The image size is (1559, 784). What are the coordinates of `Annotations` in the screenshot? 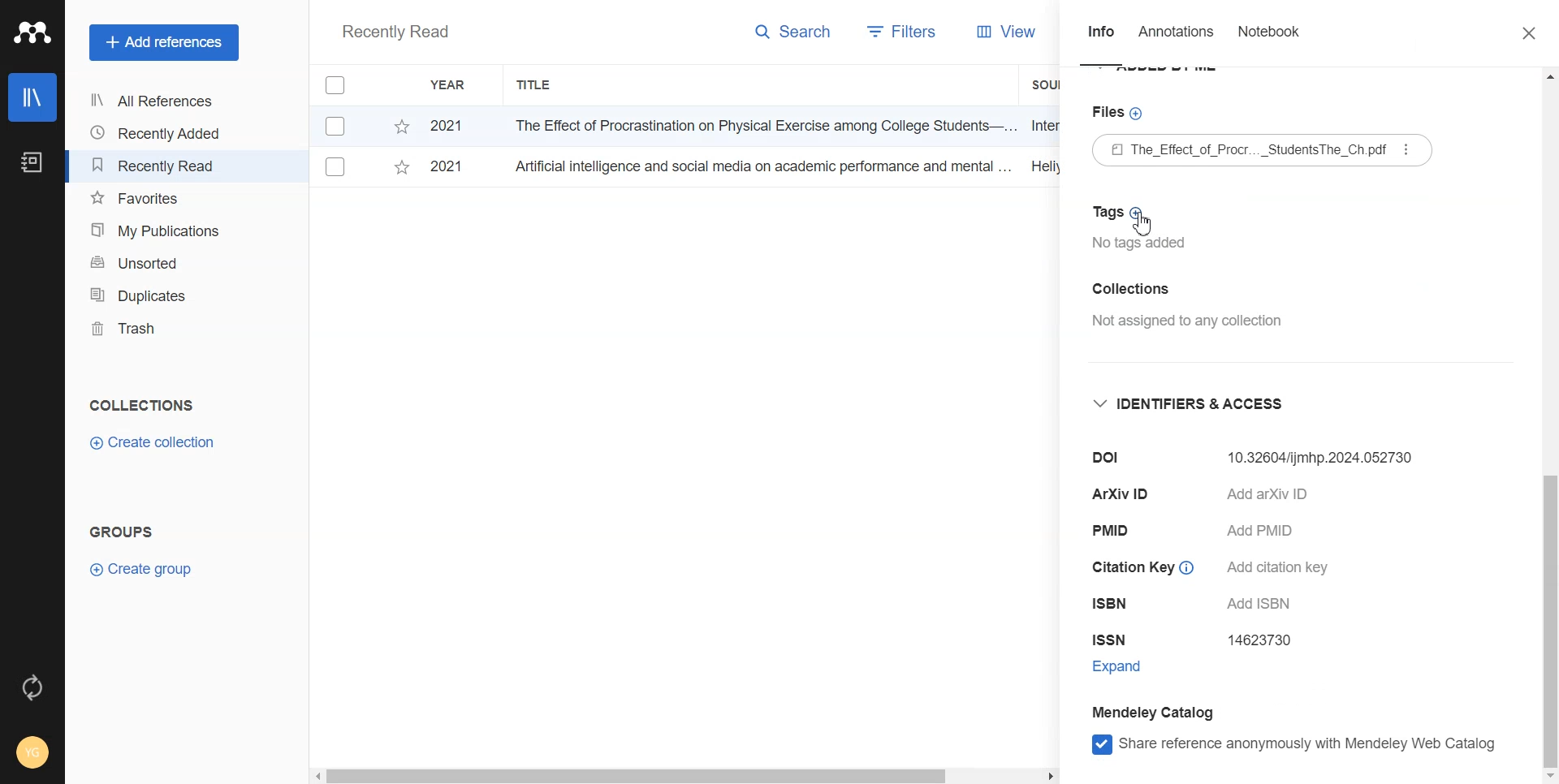 It's located at (1178, 36).